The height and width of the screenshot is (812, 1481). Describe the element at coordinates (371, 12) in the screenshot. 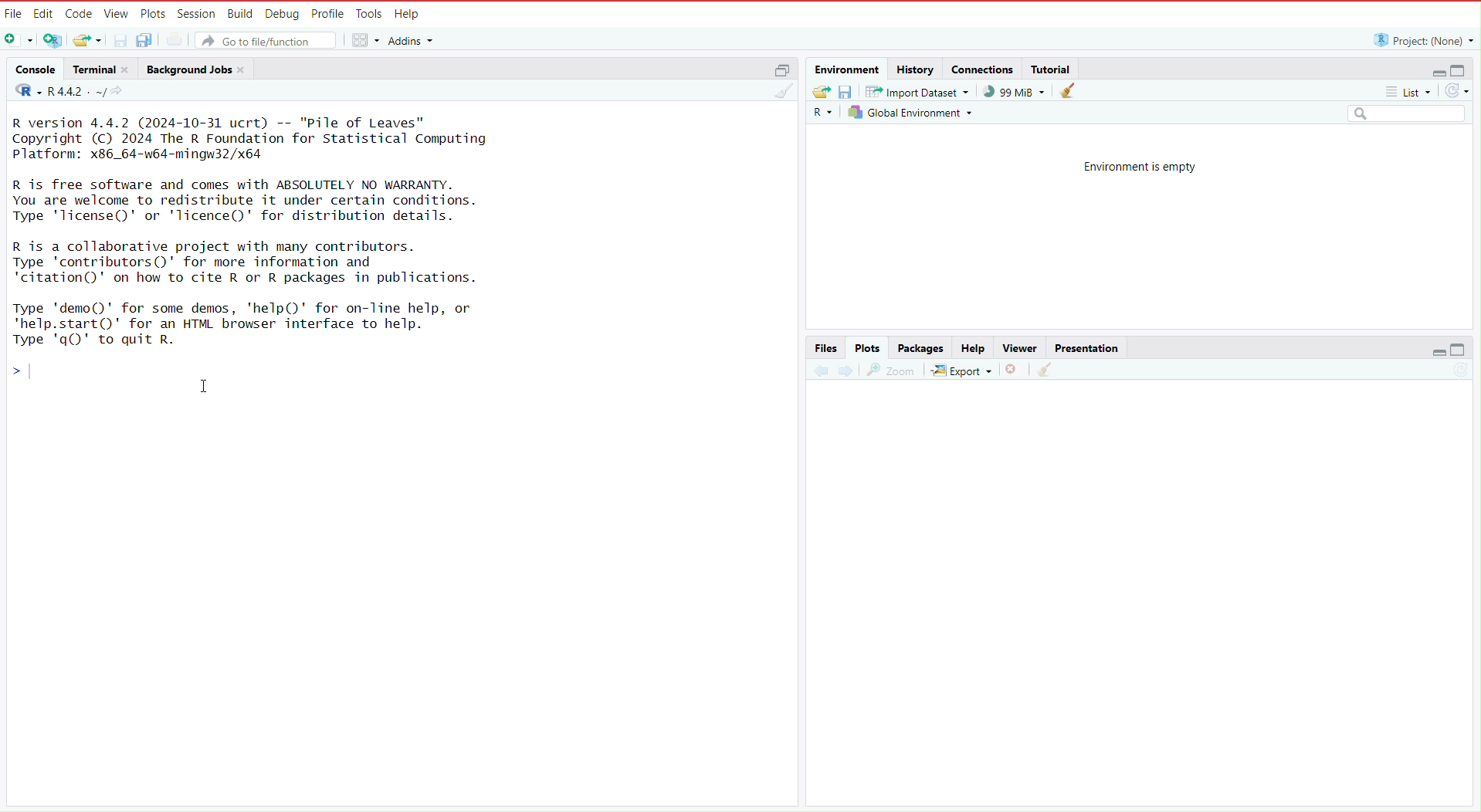

I see `tools` at that location.